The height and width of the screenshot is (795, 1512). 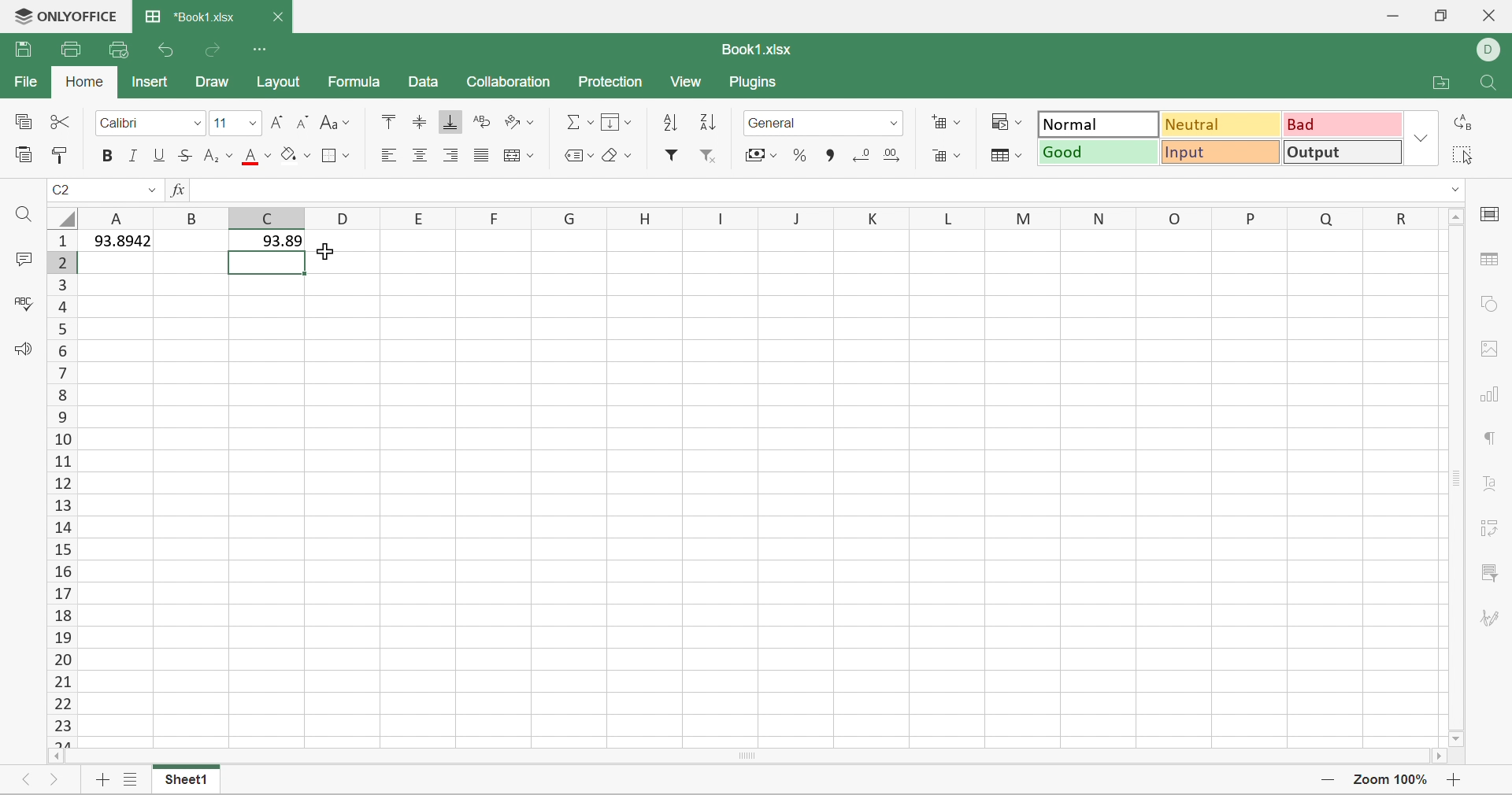 I want to click on Comments, so click(x=22, y=260).